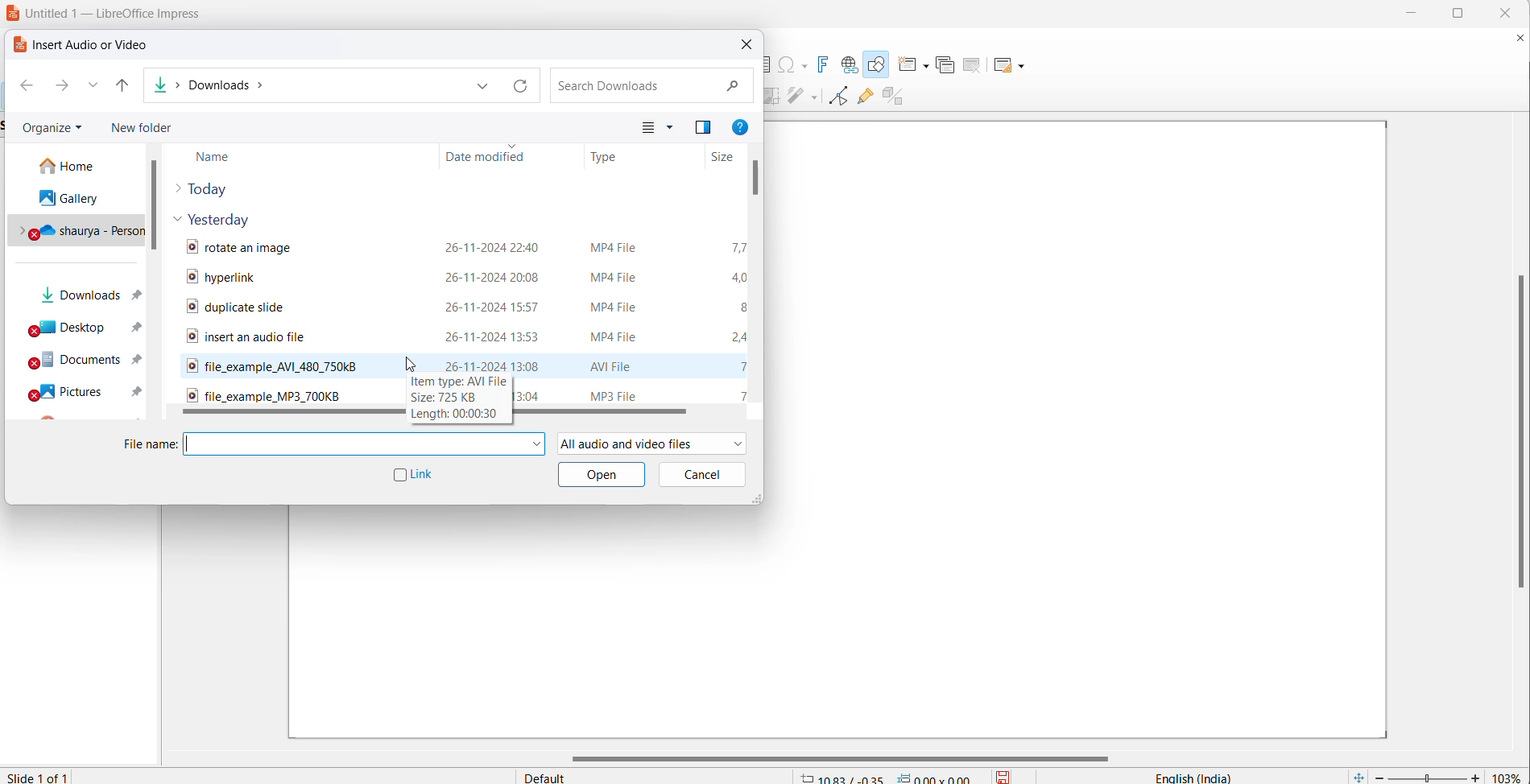  Describe the element at coordinates (287, 392) in the screenshot. I see `audio file name` at that location.